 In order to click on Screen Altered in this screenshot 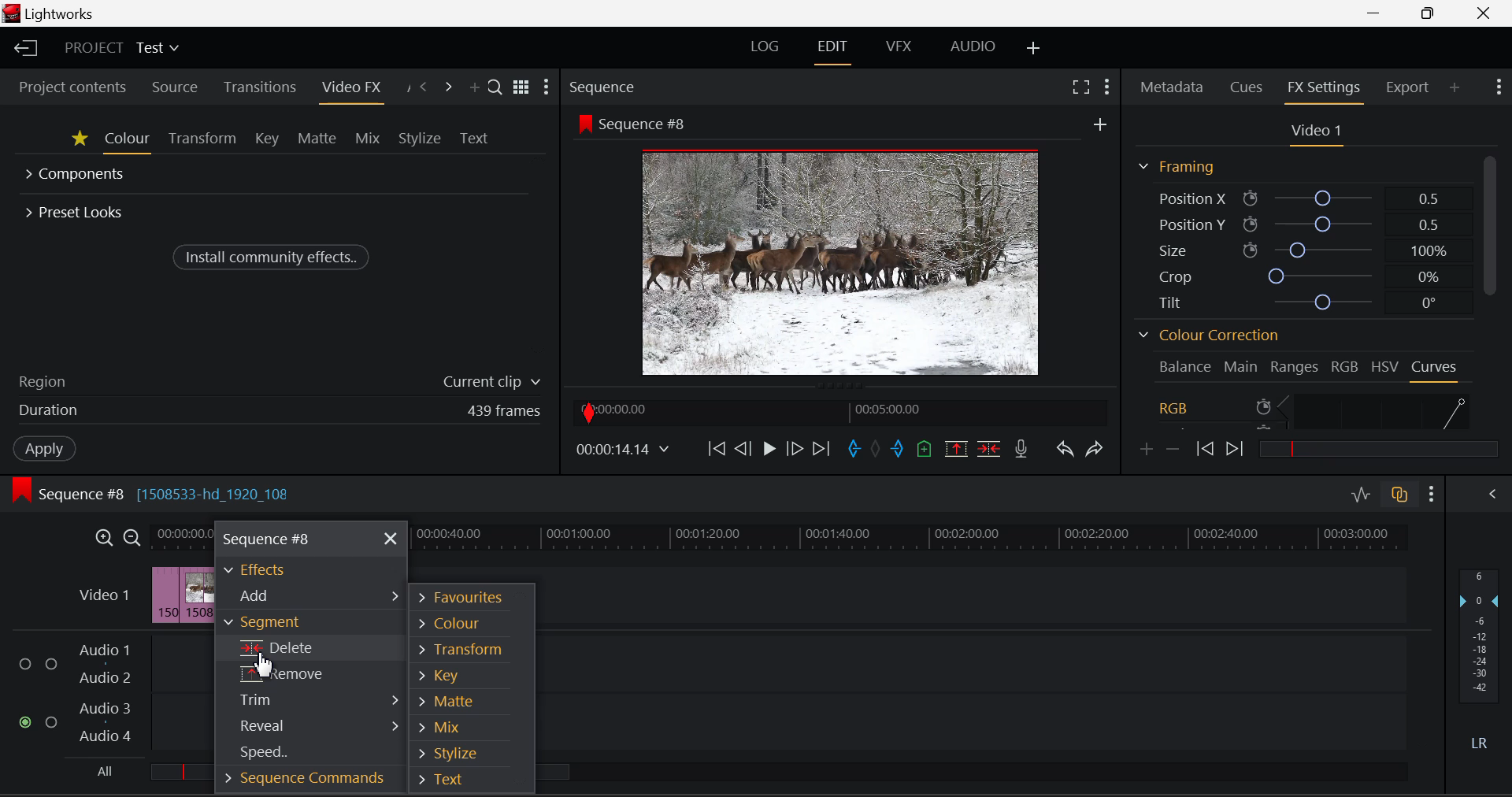, I will do `click(841, 261)`.